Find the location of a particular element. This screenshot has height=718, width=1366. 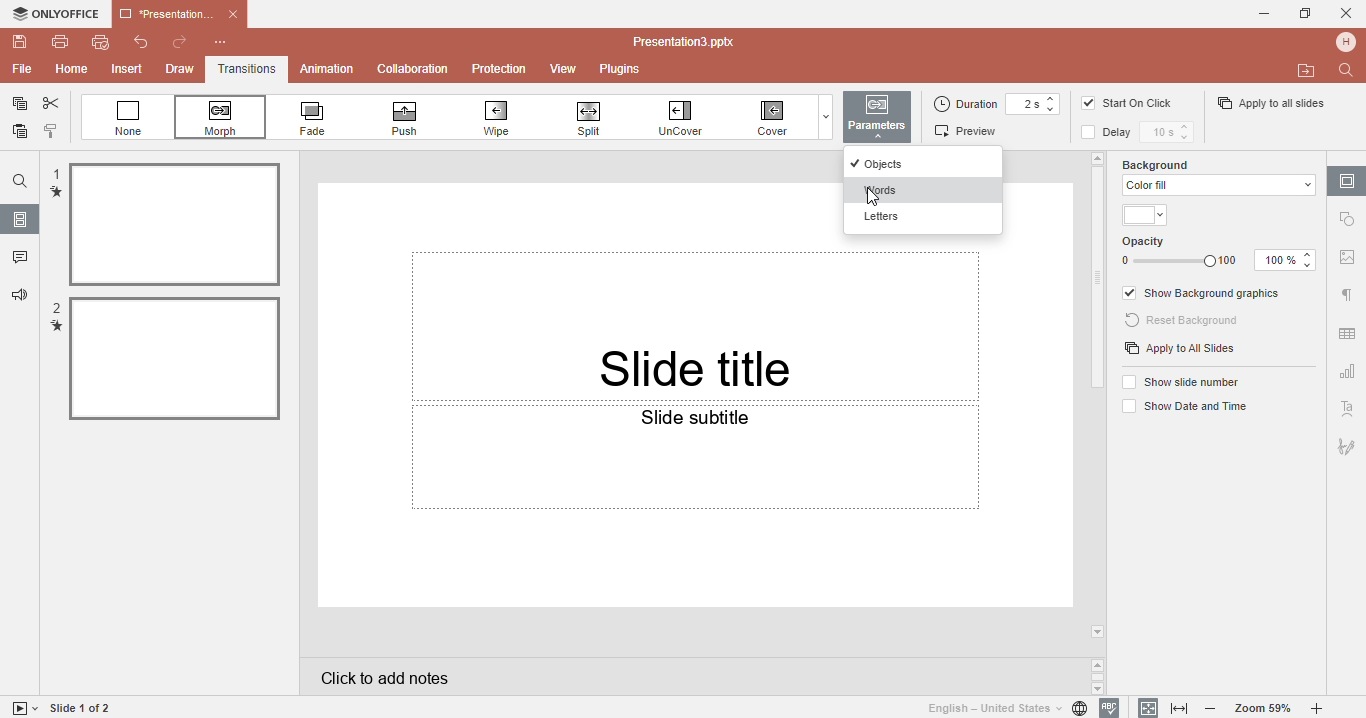

Copy is located at coordinates (16, 104).